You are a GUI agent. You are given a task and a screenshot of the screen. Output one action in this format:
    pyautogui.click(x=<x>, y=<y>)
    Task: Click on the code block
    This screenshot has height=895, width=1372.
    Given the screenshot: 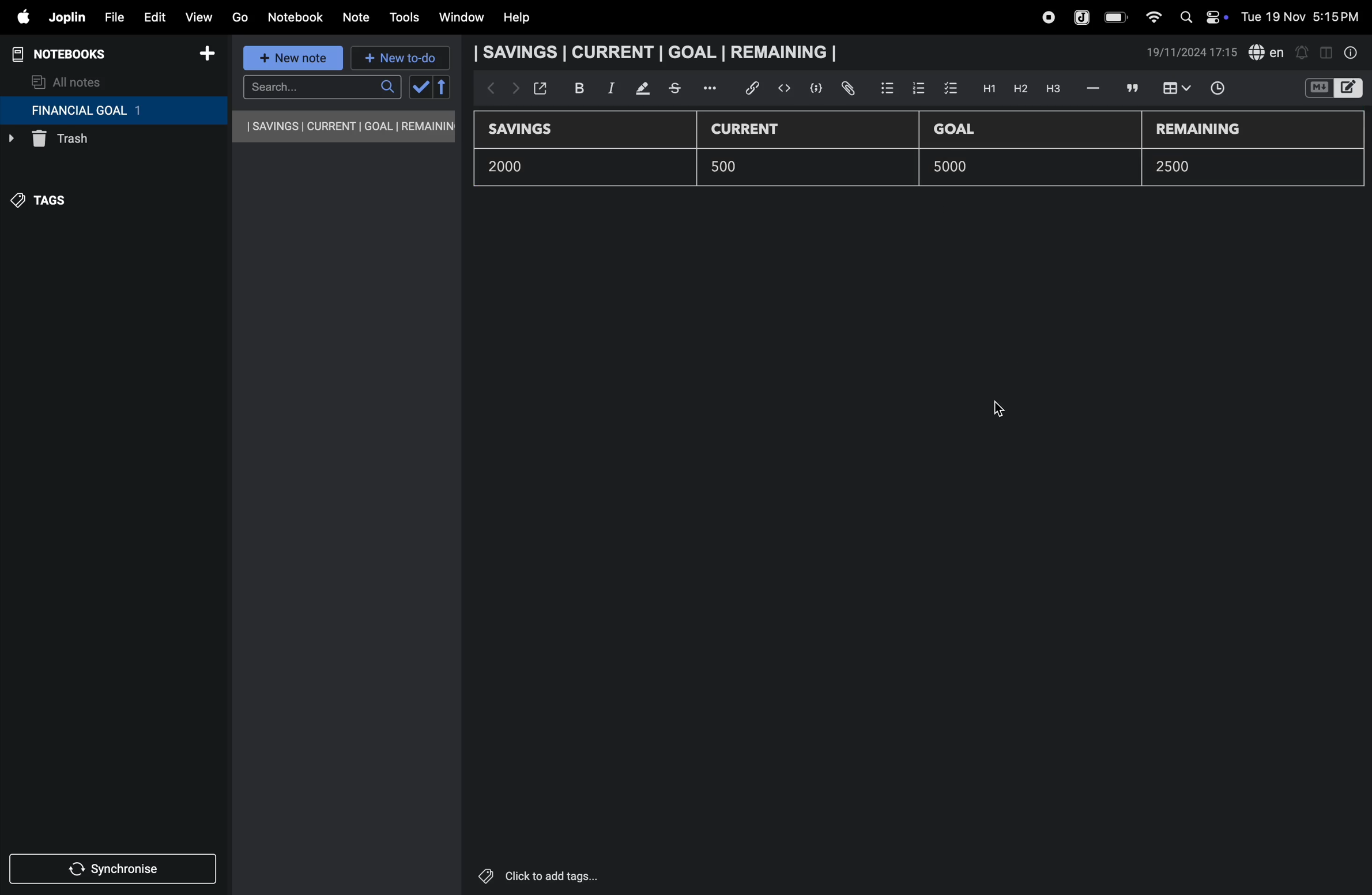 What is the action you would take?
    pyautogui.click(x=812, y=88)
    